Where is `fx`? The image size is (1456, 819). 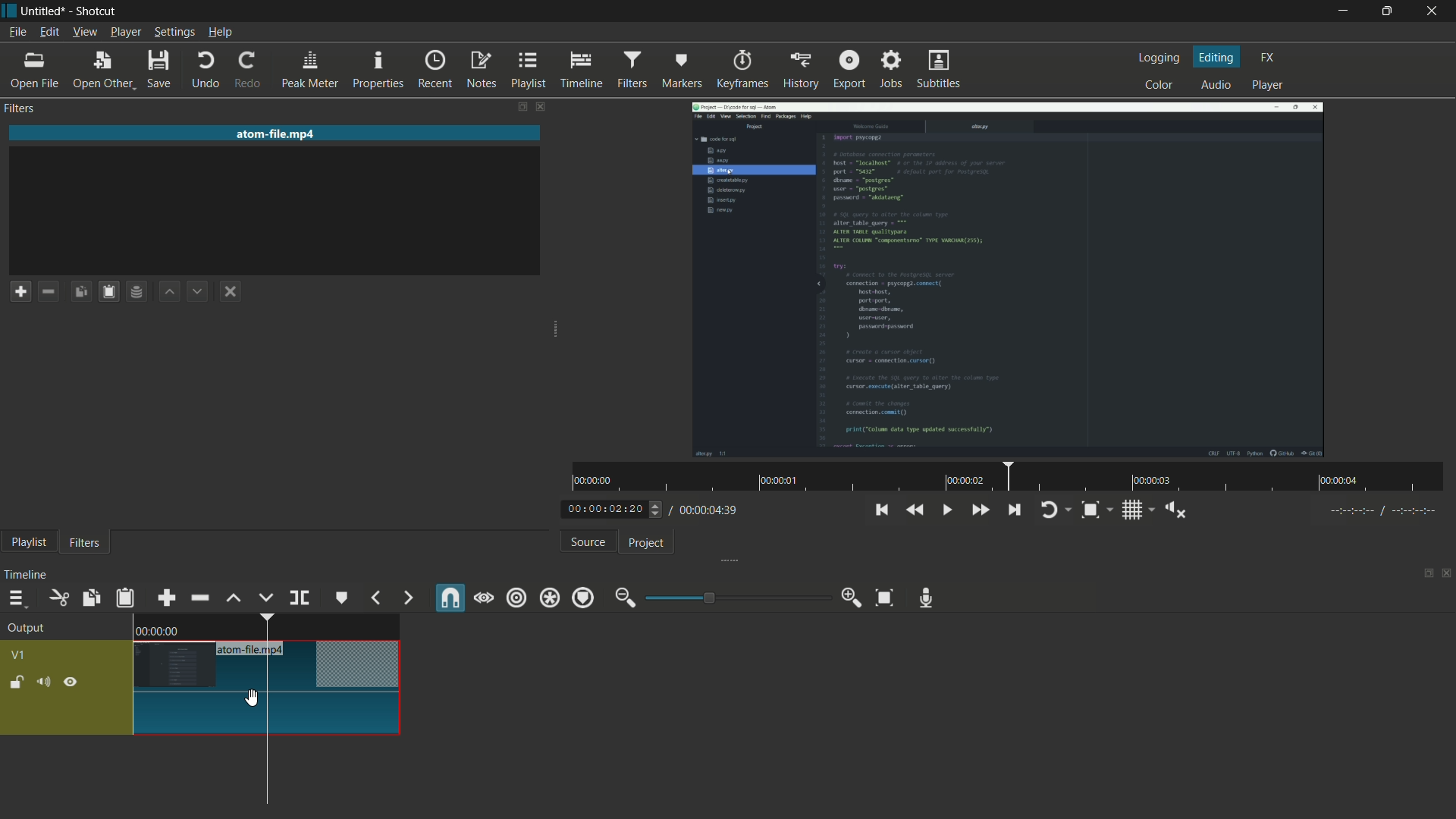 fx is located at coordinates (1267, 58).